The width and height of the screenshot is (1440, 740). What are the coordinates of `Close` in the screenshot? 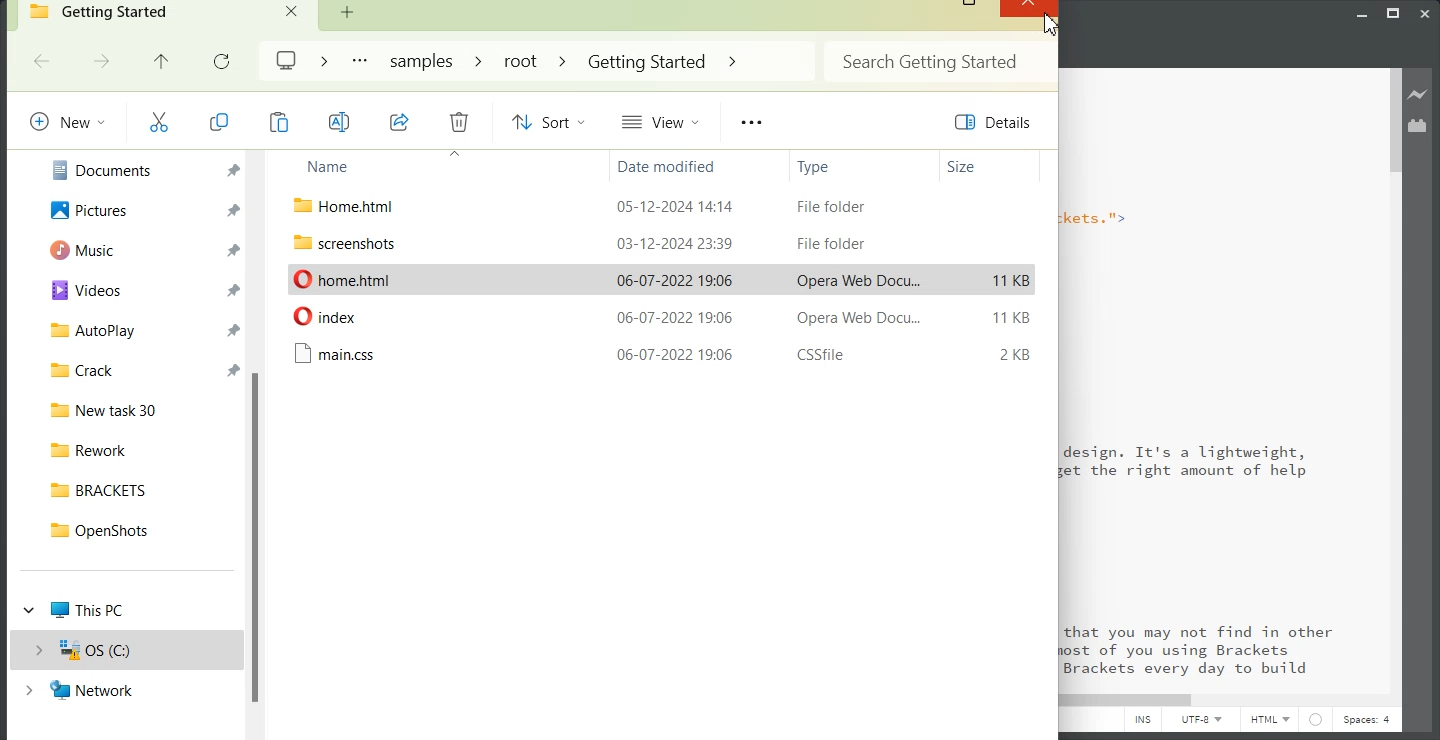 It's located at (293, 10).